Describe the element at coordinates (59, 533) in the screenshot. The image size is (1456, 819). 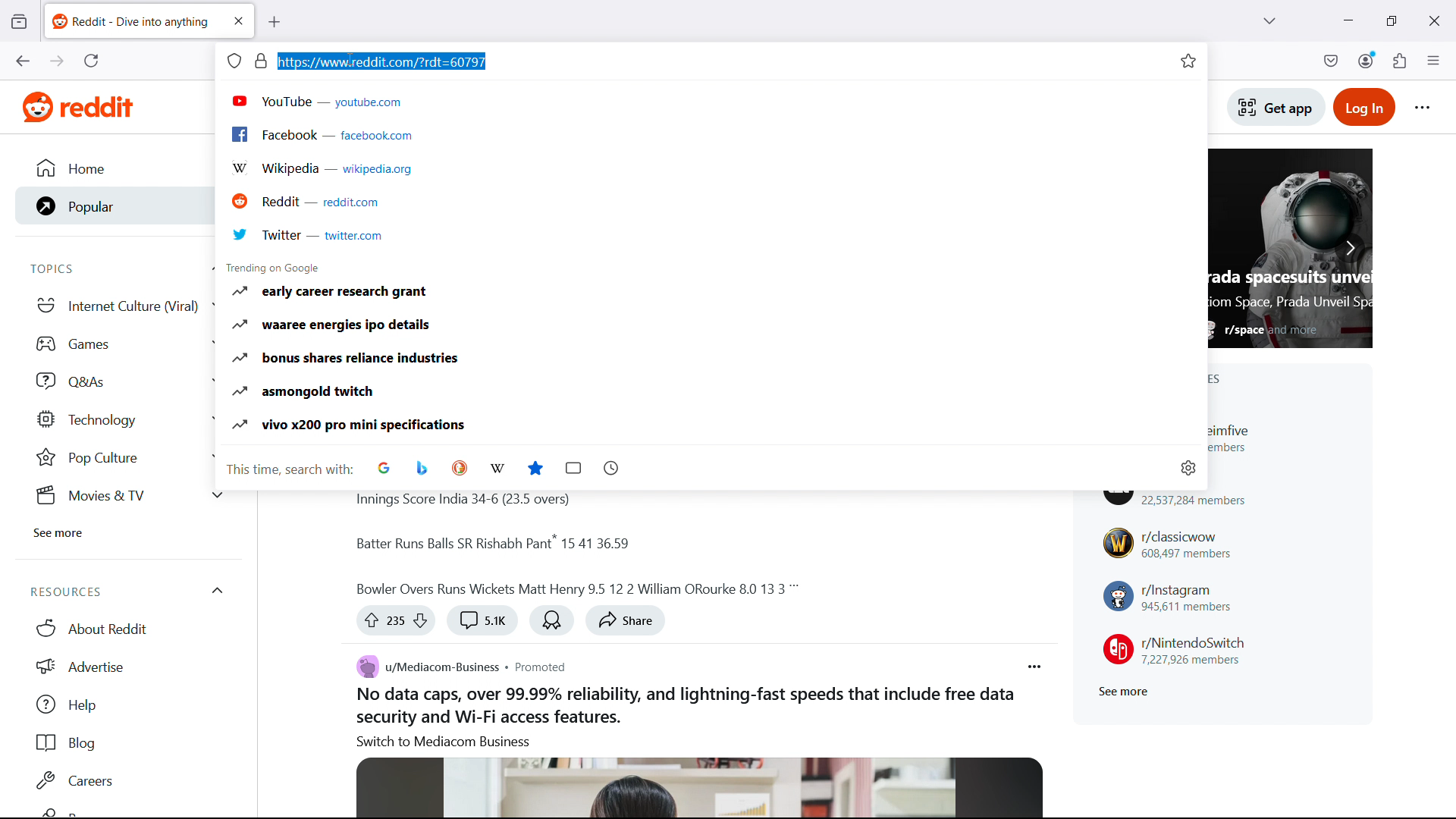
I see `See more` at that location.